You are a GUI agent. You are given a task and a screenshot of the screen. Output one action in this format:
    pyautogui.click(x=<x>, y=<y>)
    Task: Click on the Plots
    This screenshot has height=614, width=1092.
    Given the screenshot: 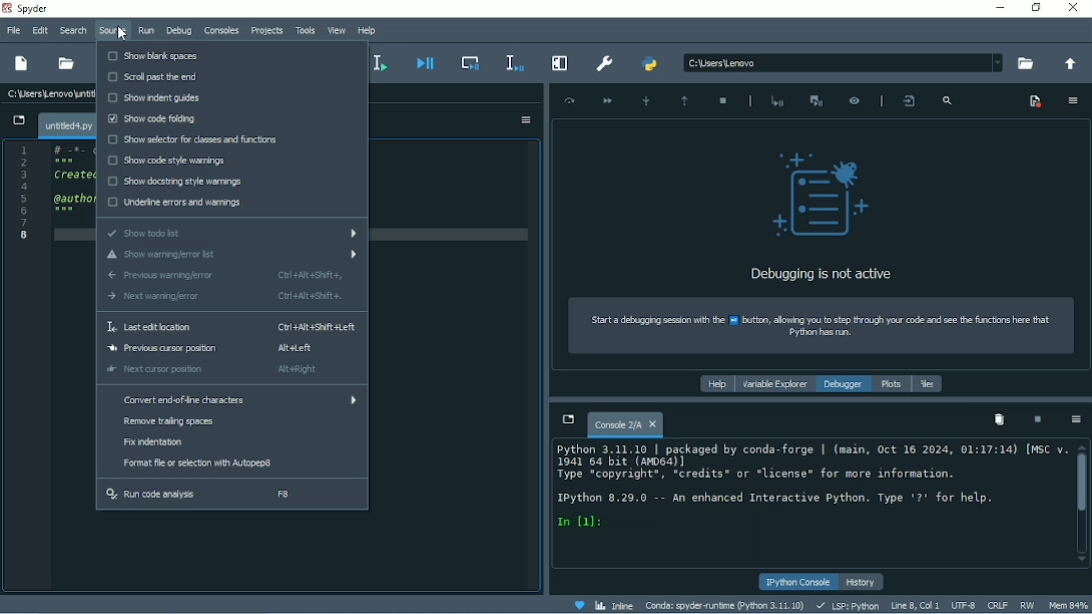 What is the action you would take?
    pyautogui.click(x=893, y=384)
    